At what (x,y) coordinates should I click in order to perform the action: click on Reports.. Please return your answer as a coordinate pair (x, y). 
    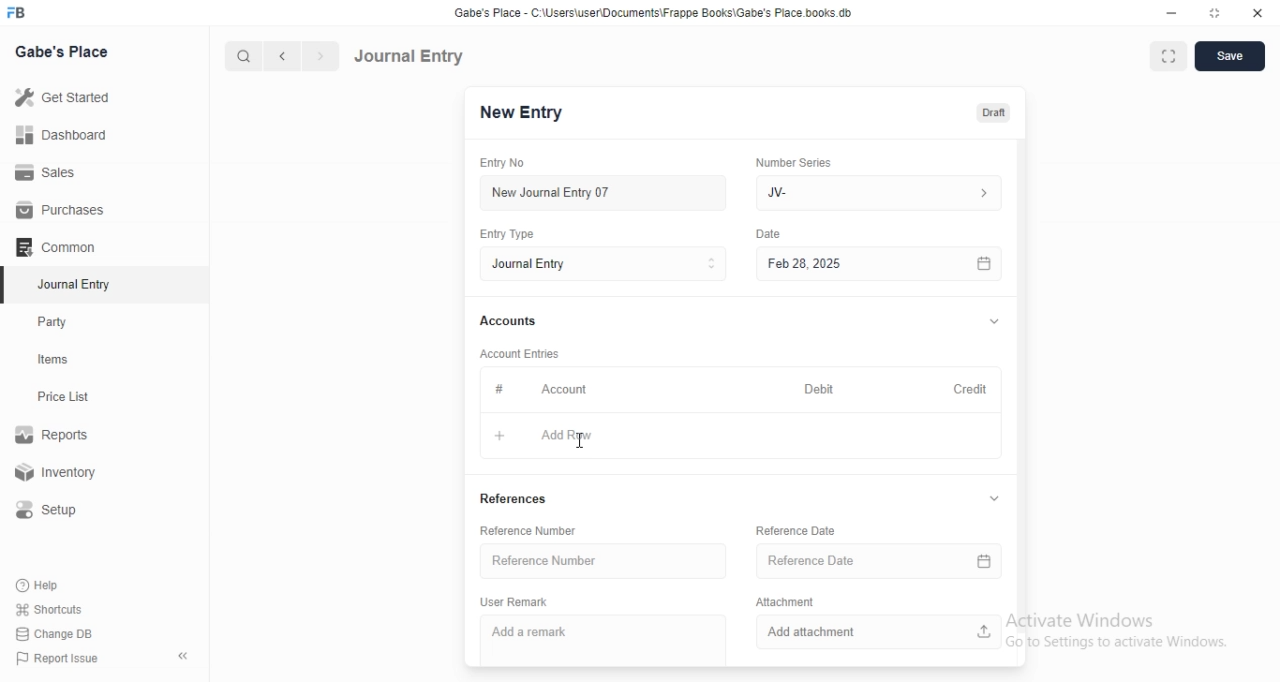
    Looking at the image, I should click on (55, 438).